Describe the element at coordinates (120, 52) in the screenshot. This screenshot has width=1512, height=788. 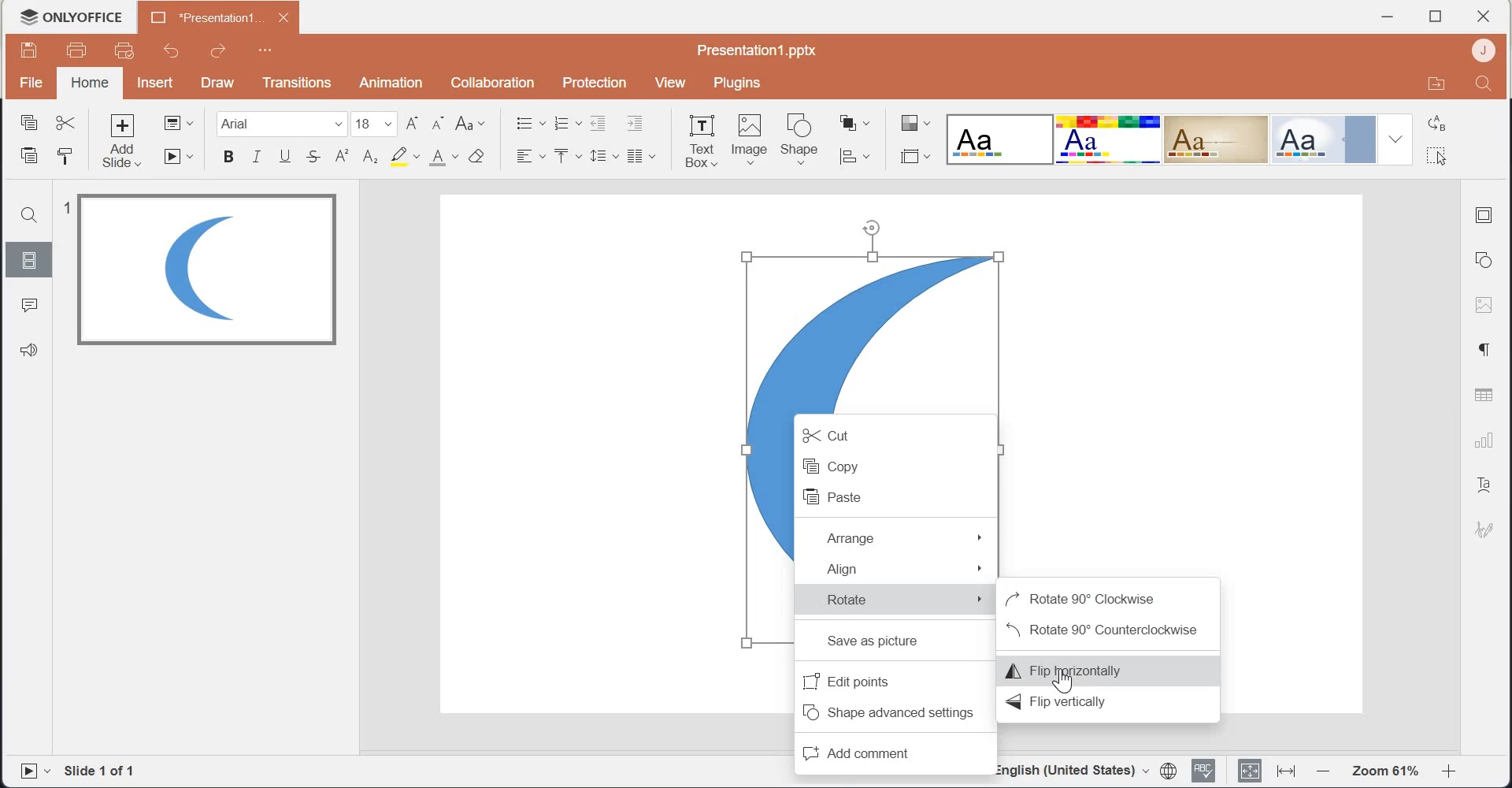
I see `Quick print` at that location.